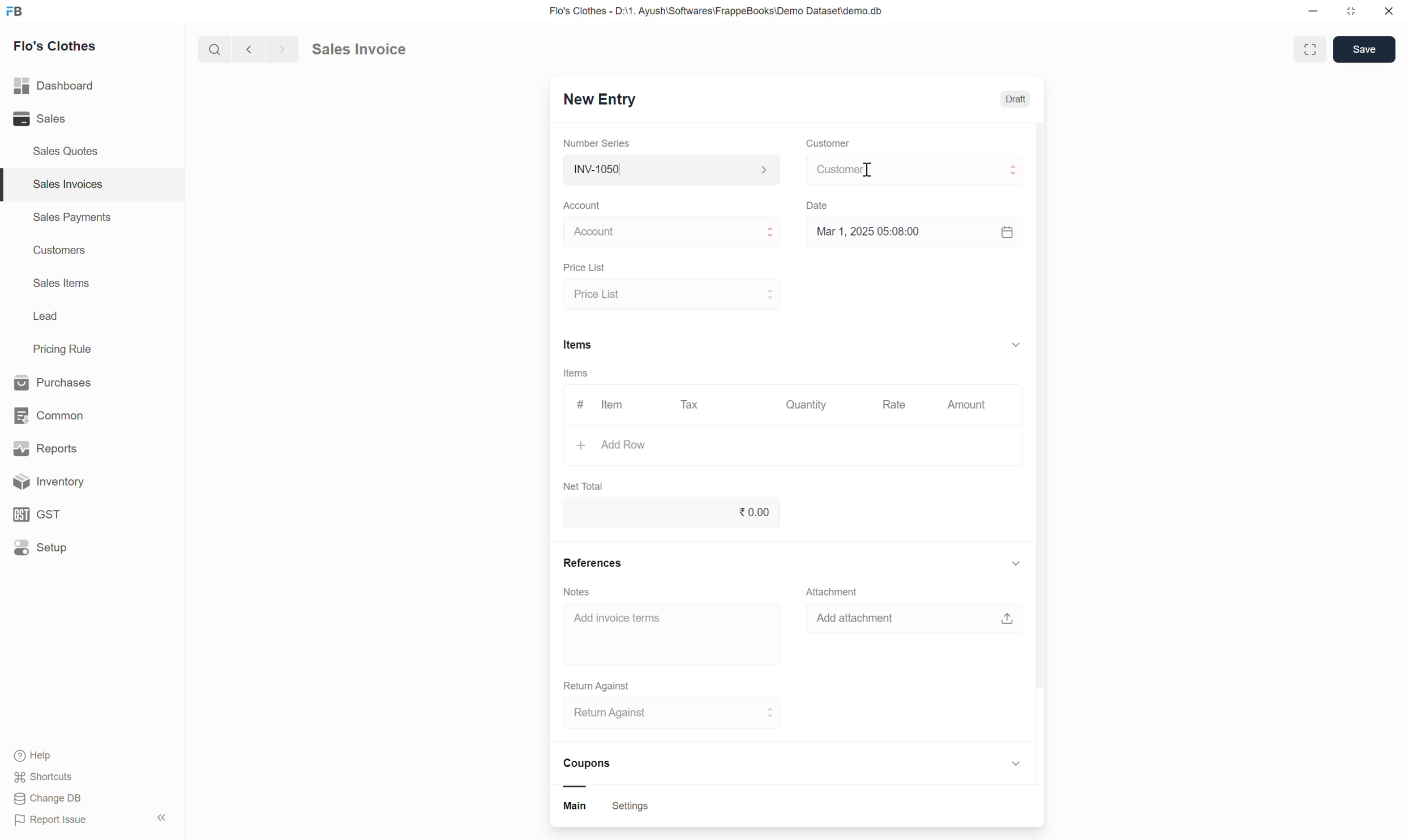 Image resolution: width=1408 pixels, height=840 pixels. I want to click on select return against , so click(666, 715).